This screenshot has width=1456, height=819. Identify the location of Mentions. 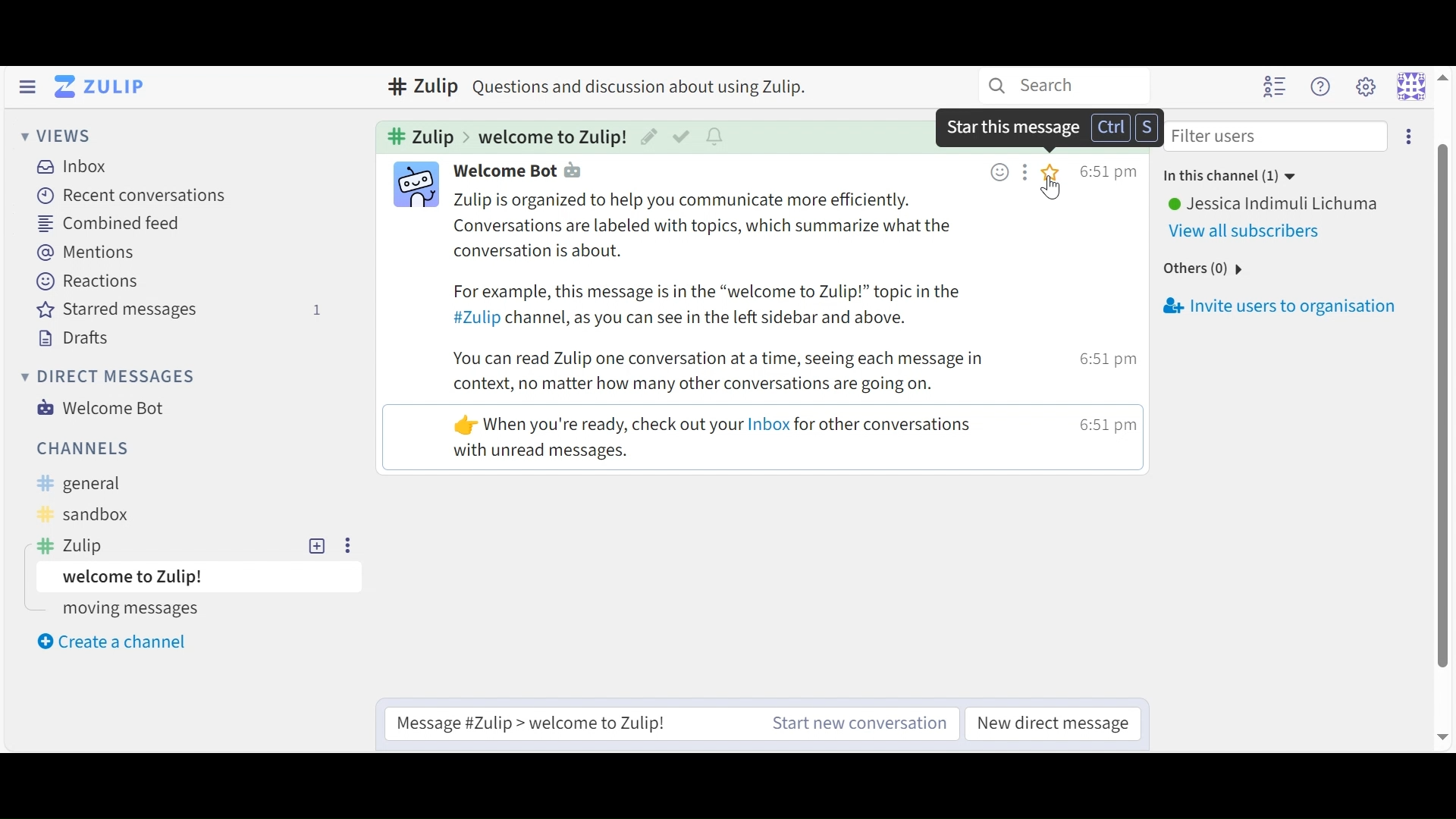
(79, 253).